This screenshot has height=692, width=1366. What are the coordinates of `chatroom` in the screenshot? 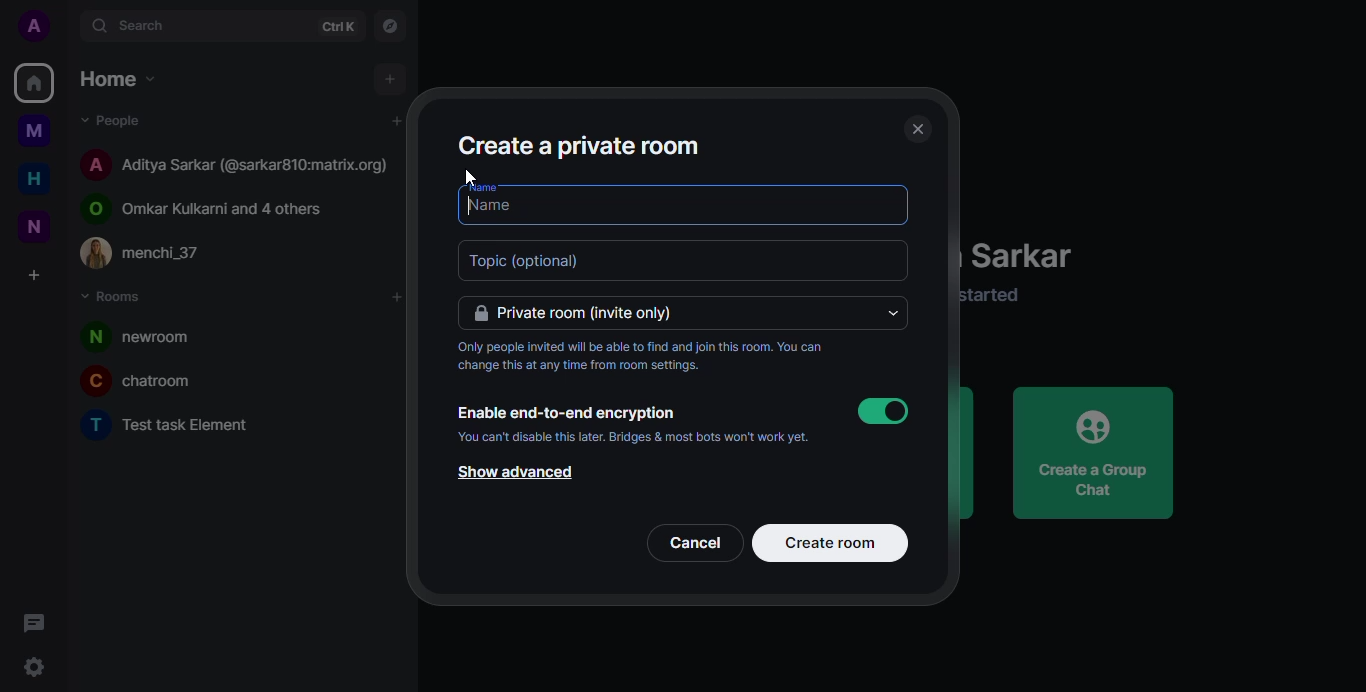 It's located at (150, 380).